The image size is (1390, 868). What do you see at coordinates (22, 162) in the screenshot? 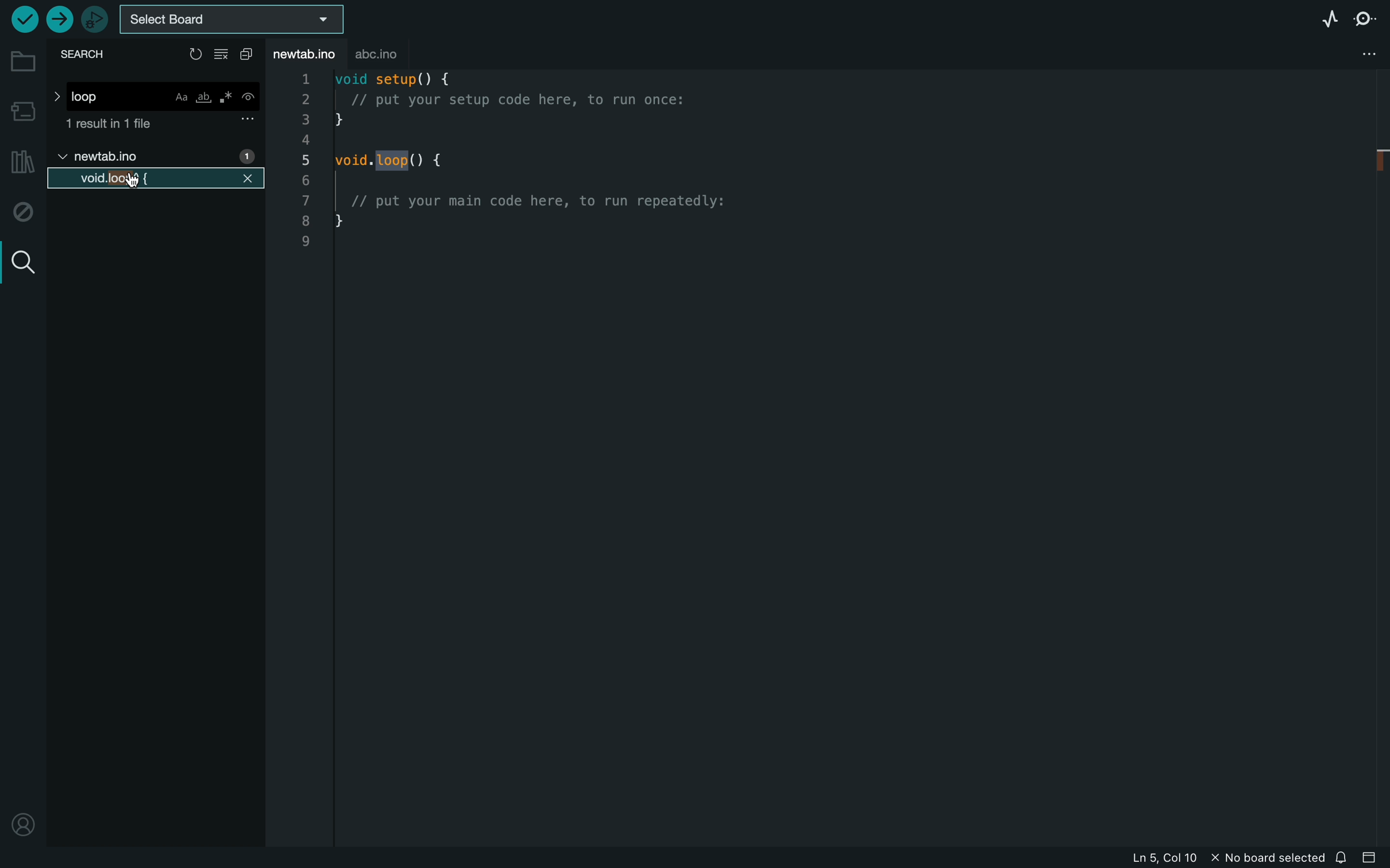
I see `library manager` at bounding box center [22, 162].